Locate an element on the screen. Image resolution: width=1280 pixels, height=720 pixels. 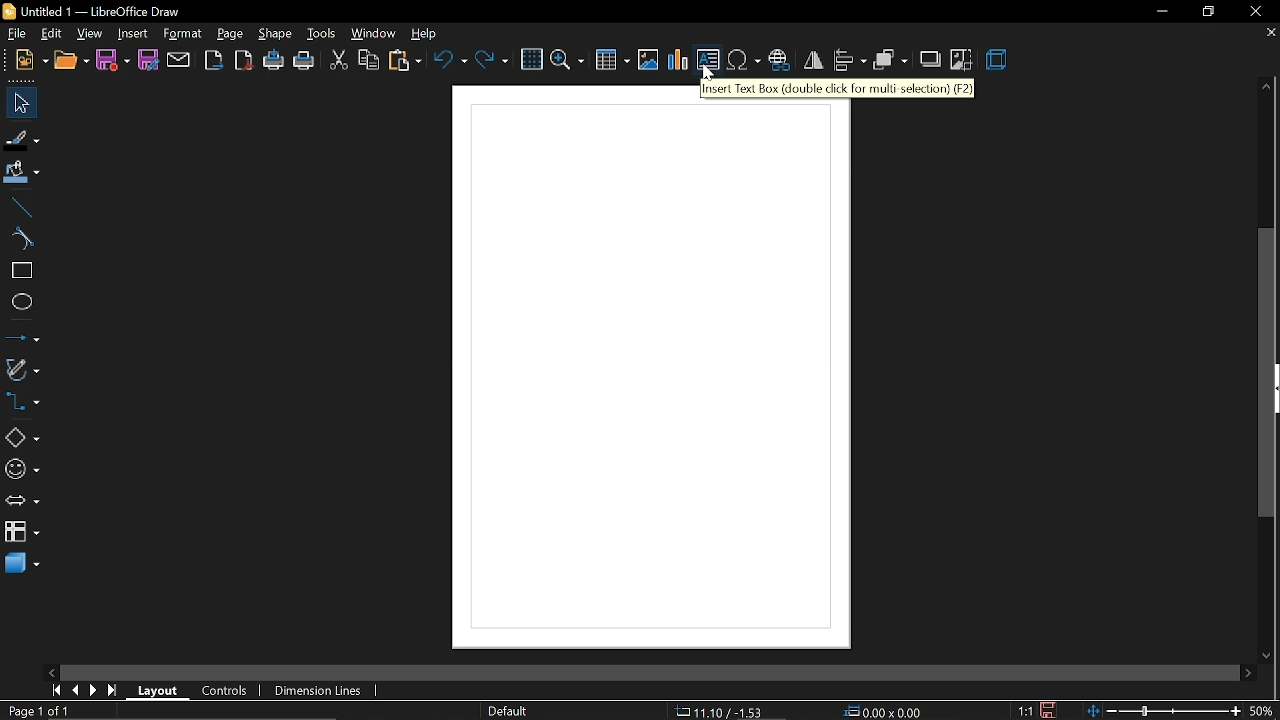
flowchart is located at coordinates (21, 531).